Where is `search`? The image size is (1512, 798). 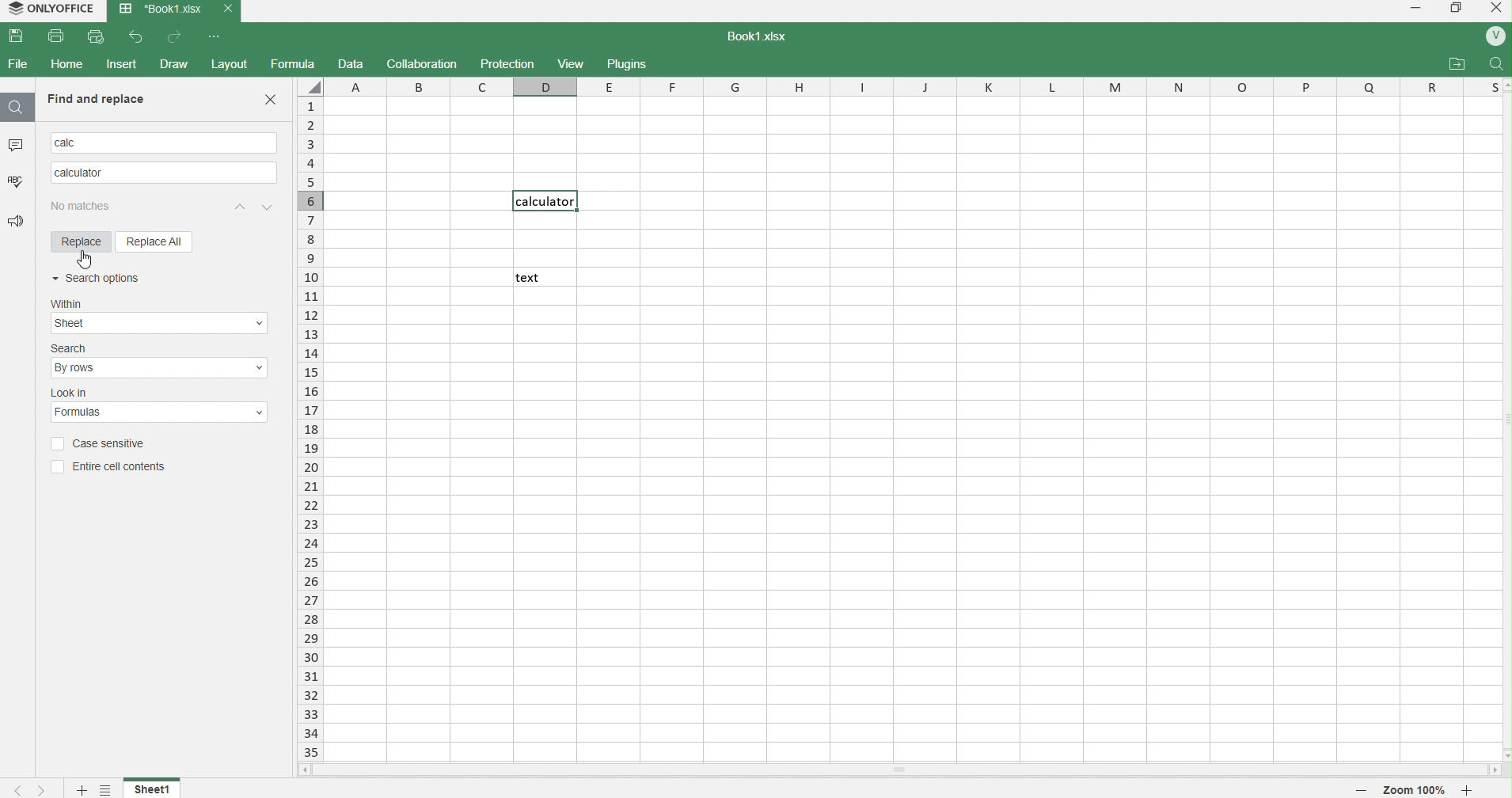
search is located at coordinates (1498, 63).